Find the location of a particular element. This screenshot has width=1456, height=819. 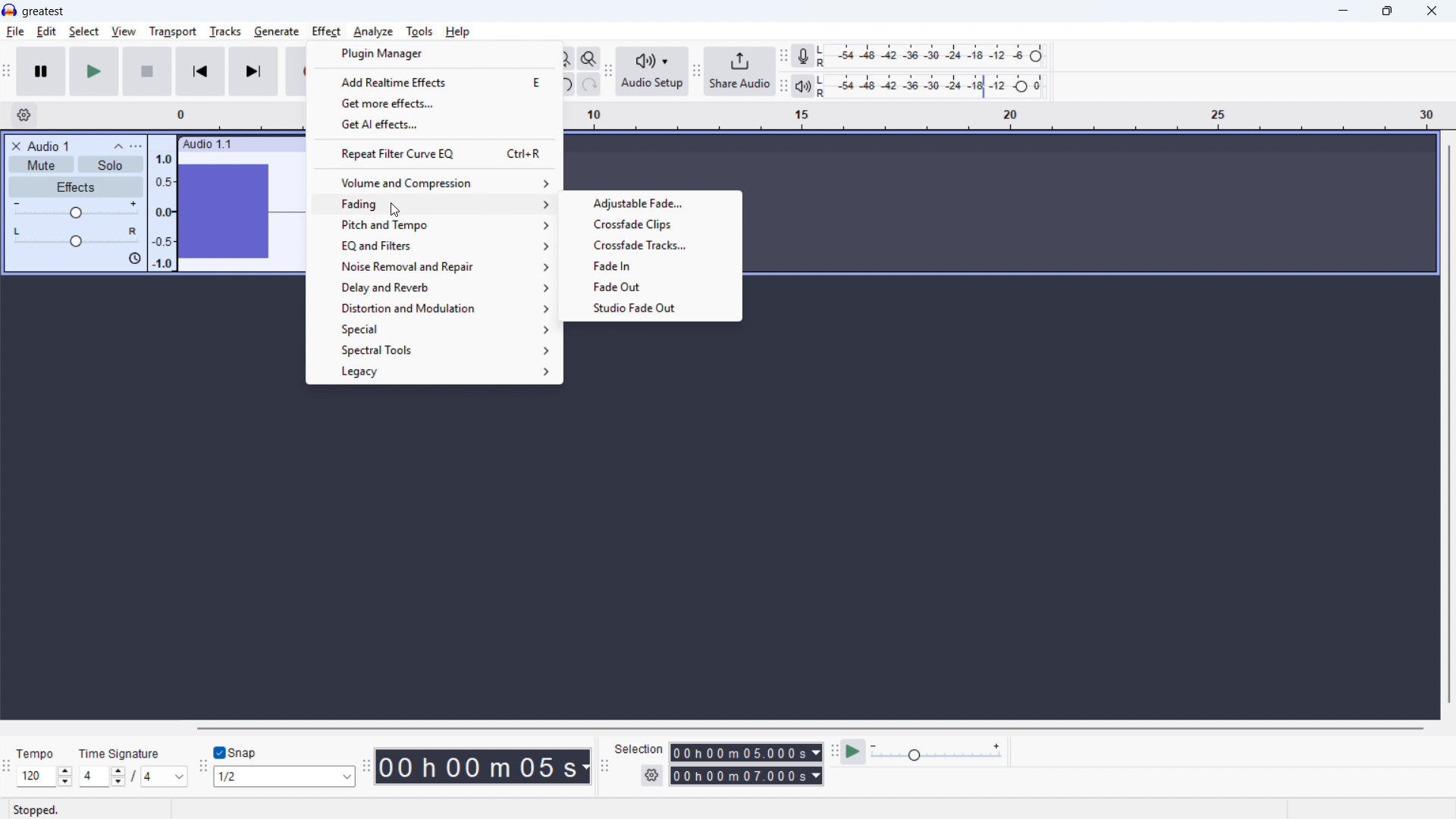

sync-lock is on is located at coordinates (134, 259).